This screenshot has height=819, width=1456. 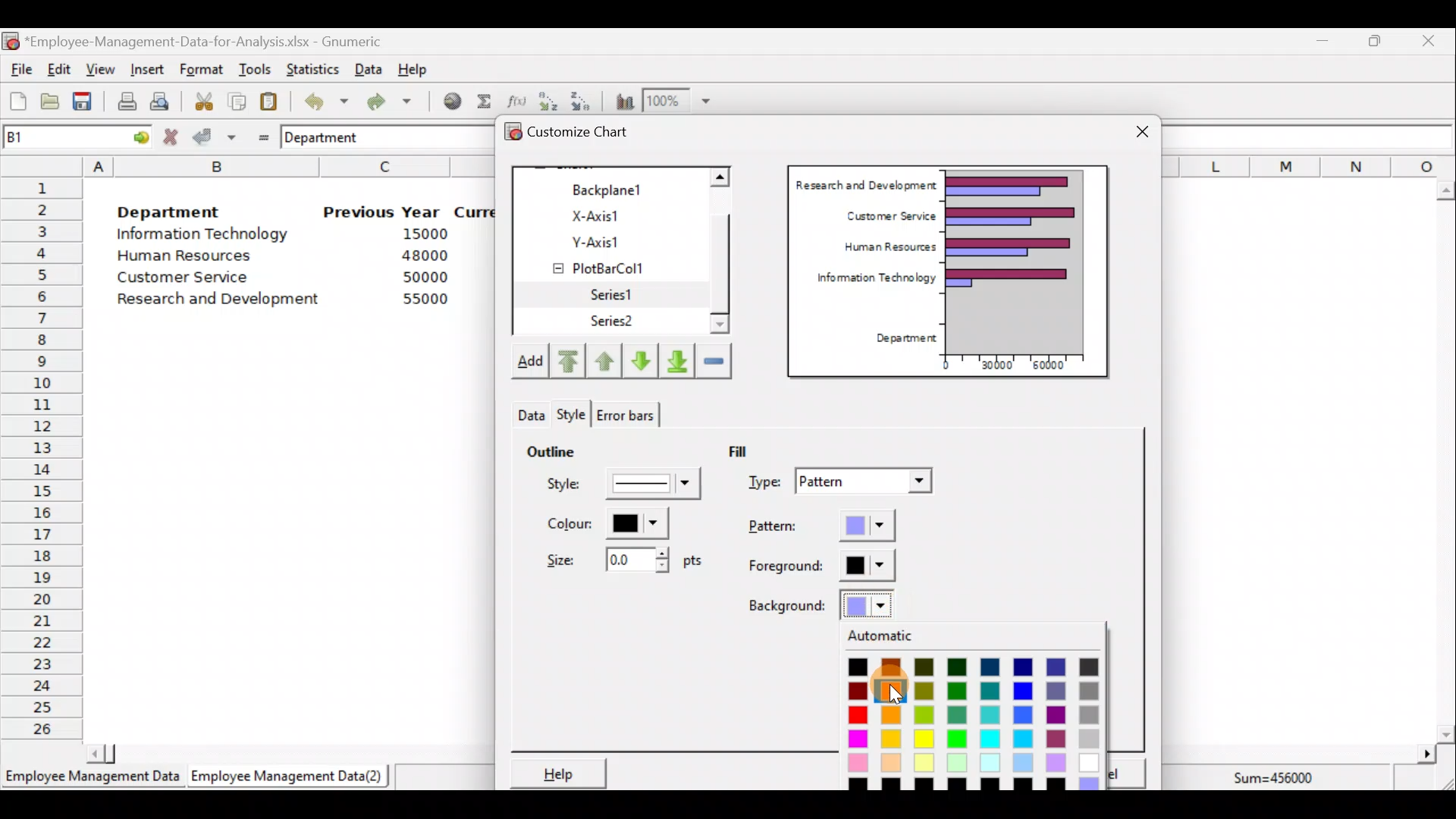 I want to click on Information Technology, so click(x=205, y=234).